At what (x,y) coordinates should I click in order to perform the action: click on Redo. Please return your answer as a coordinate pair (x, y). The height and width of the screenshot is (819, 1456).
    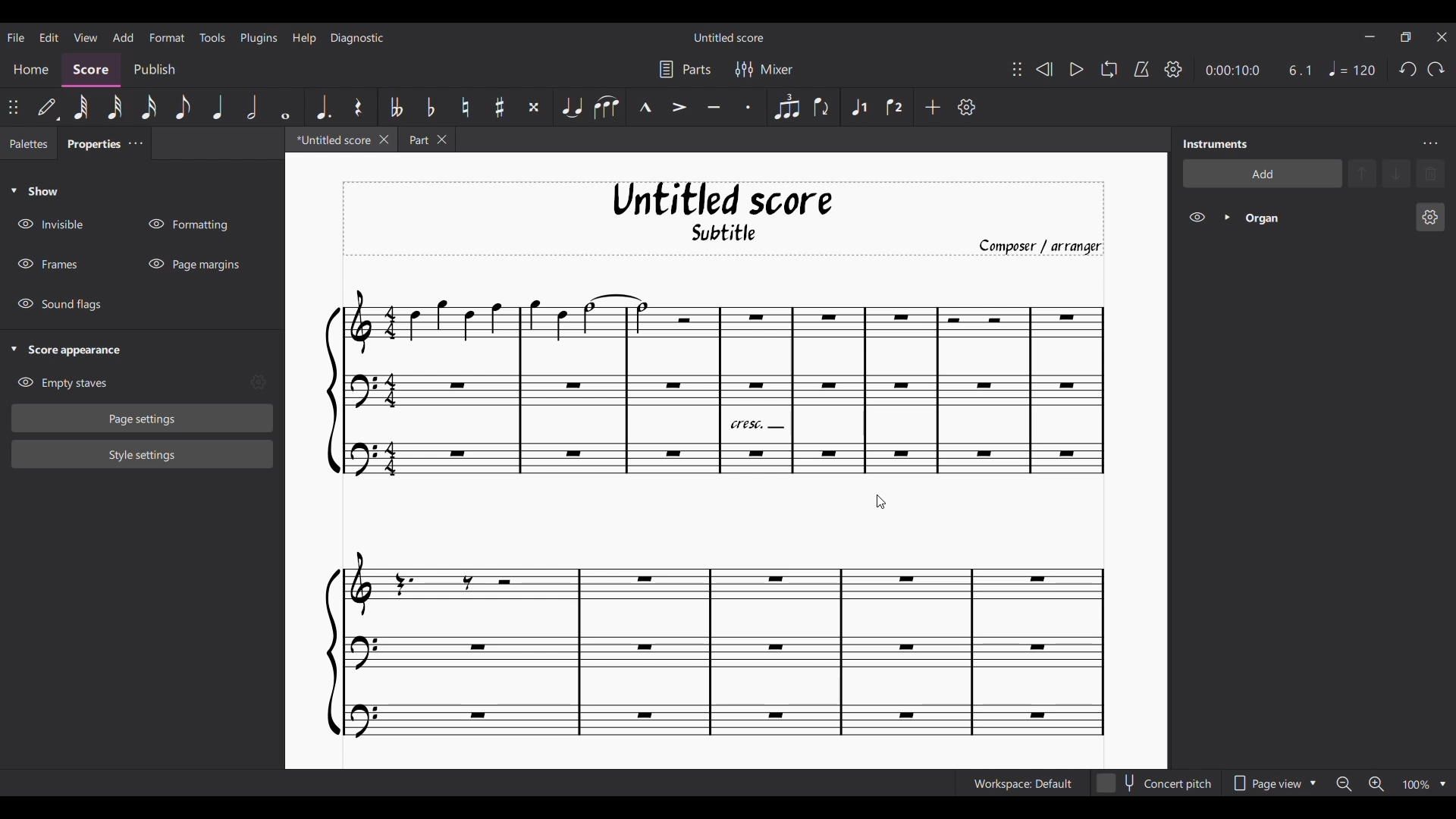
    Looking at the image, I should click on (1436, 68).